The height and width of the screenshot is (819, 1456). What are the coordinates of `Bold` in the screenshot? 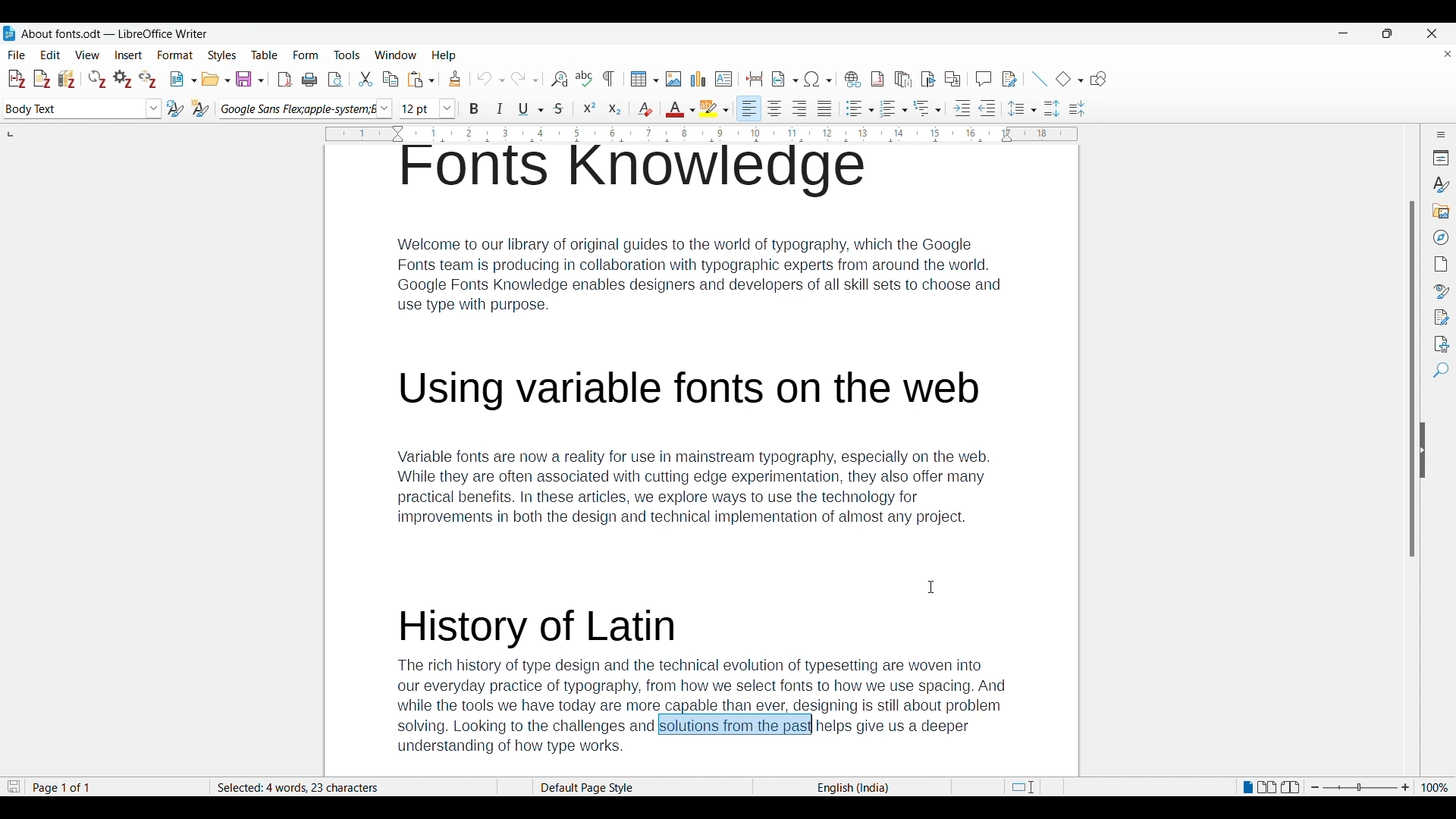 It's located at (475, 108).